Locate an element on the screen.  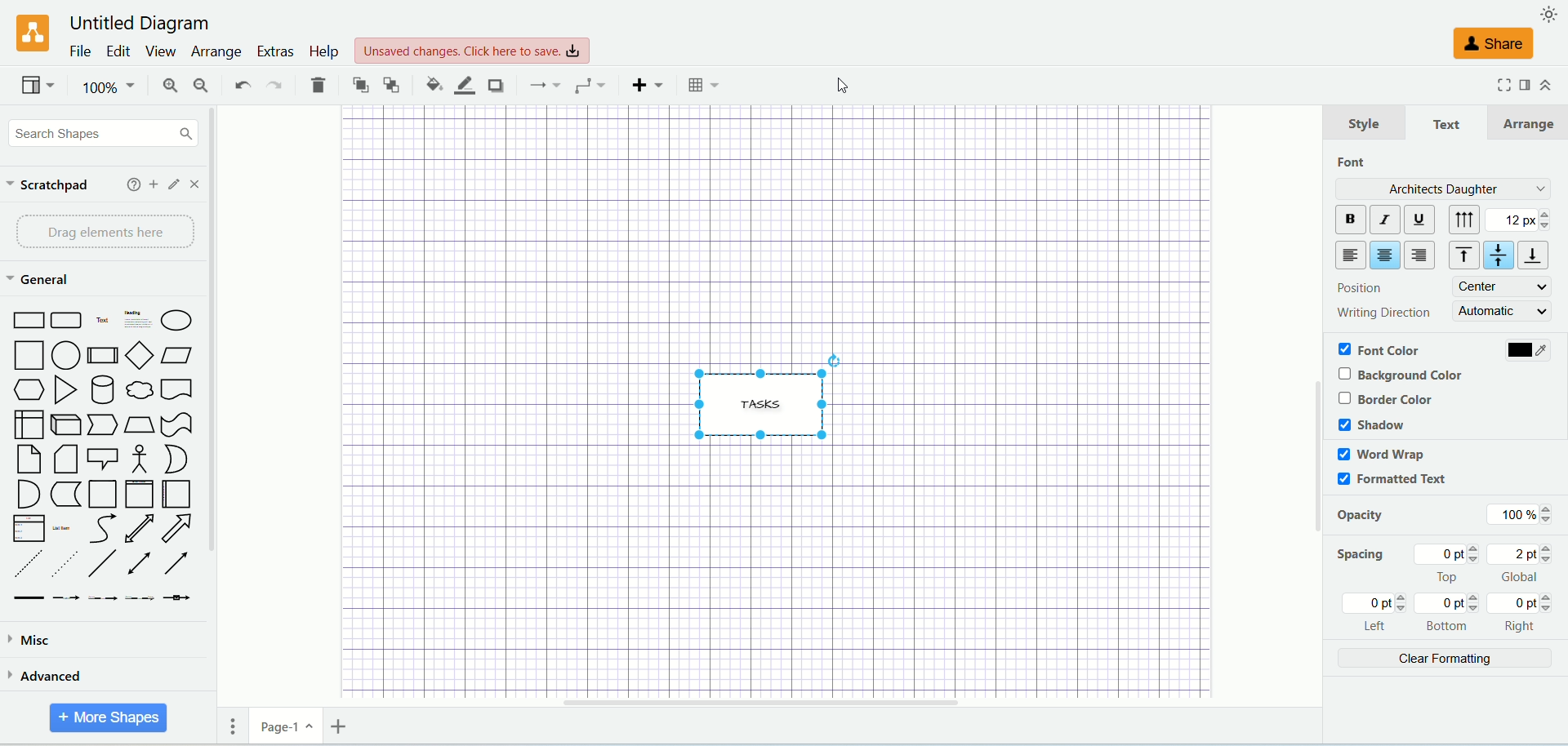
fill color is located at coordinates (426, 84).